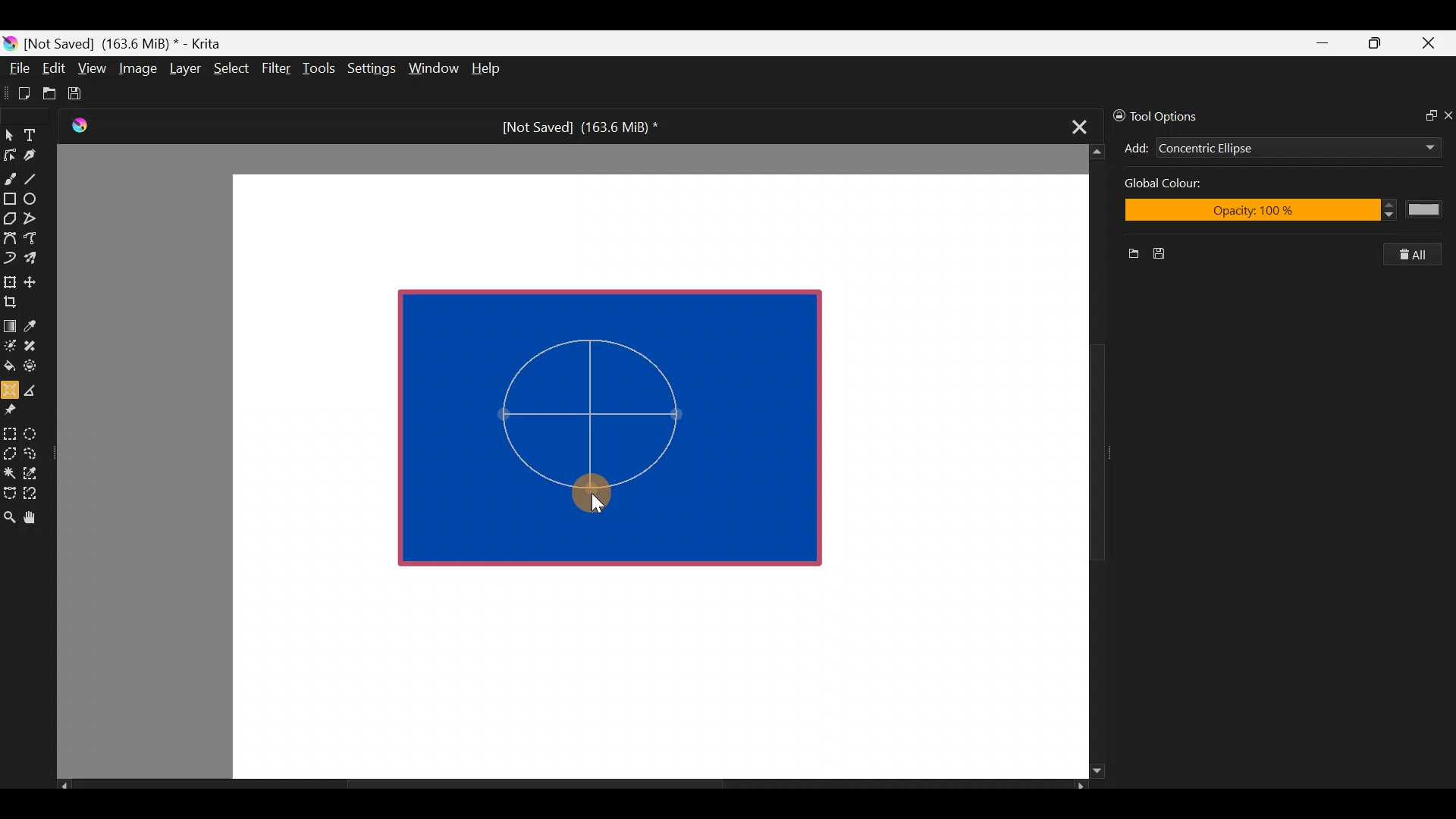 The height and width of the screenshot is (819, 1456). Describe the element at coordinates (9, 322) in the screenshot. I see `Draw a gradient` at that location.